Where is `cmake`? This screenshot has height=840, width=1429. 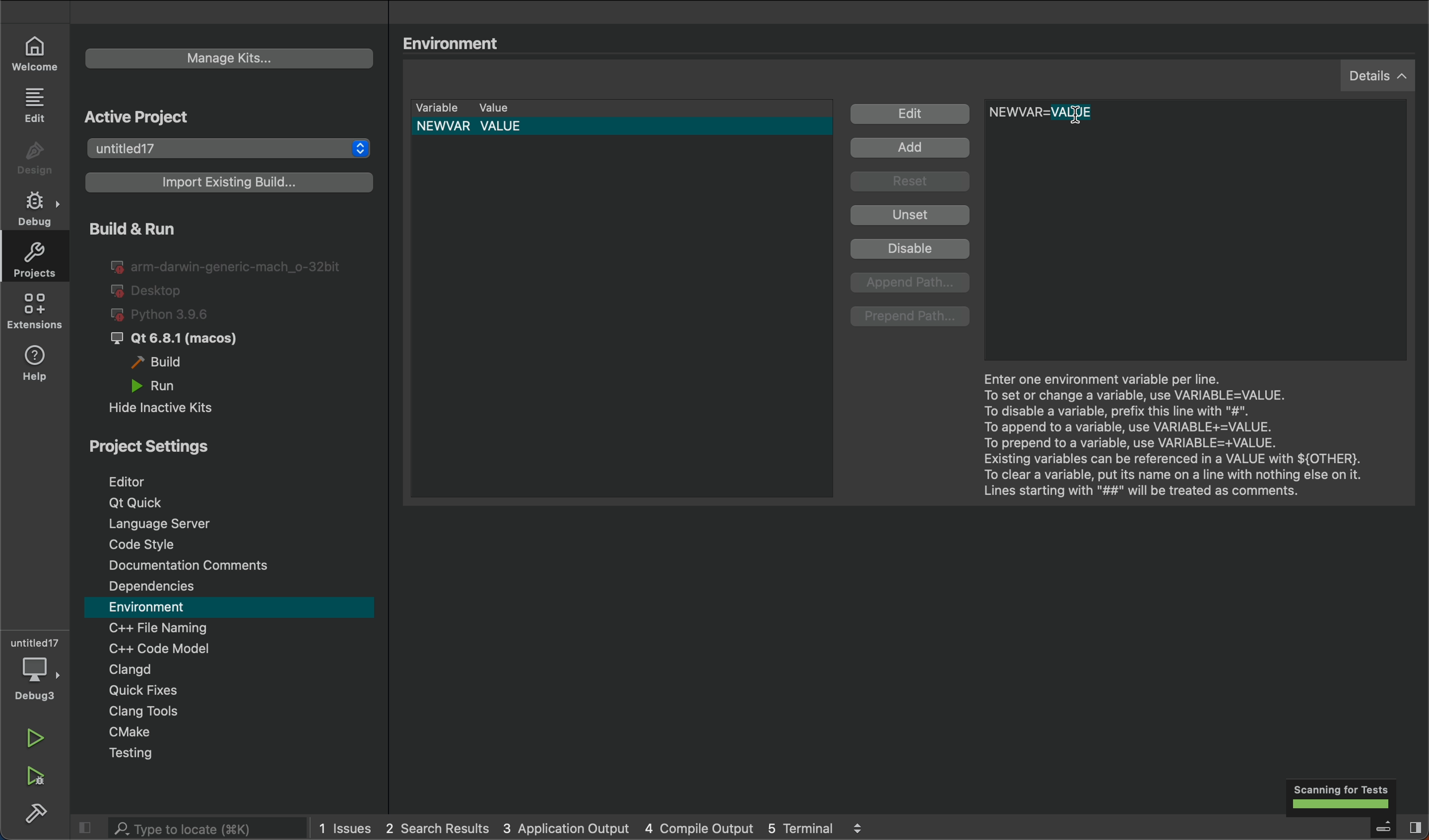
cmake is located at coordinates (239, 732).